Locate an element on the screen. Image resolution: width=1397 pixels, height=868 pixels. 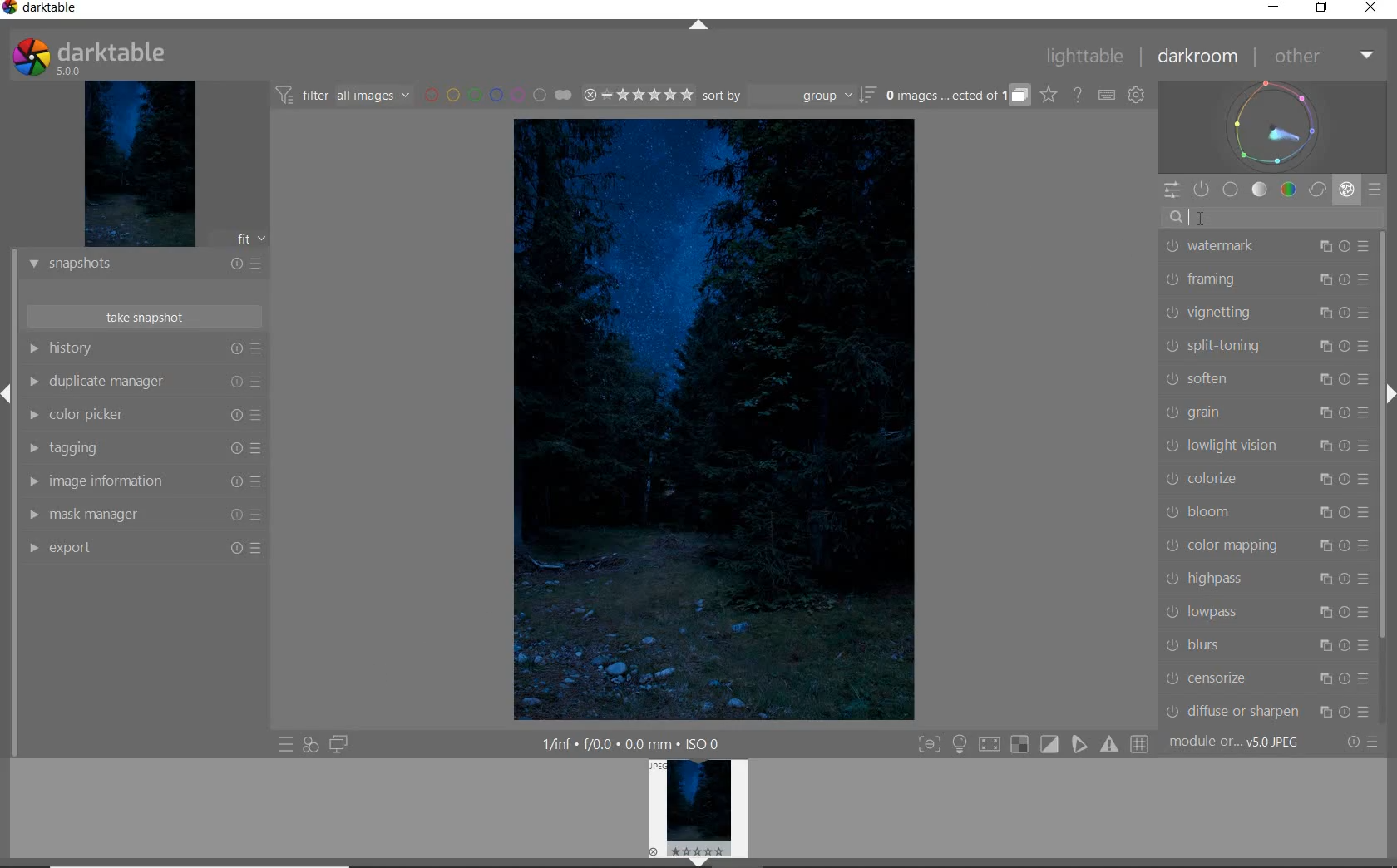
WAVEFORM is located at coordinates (1271, 126).